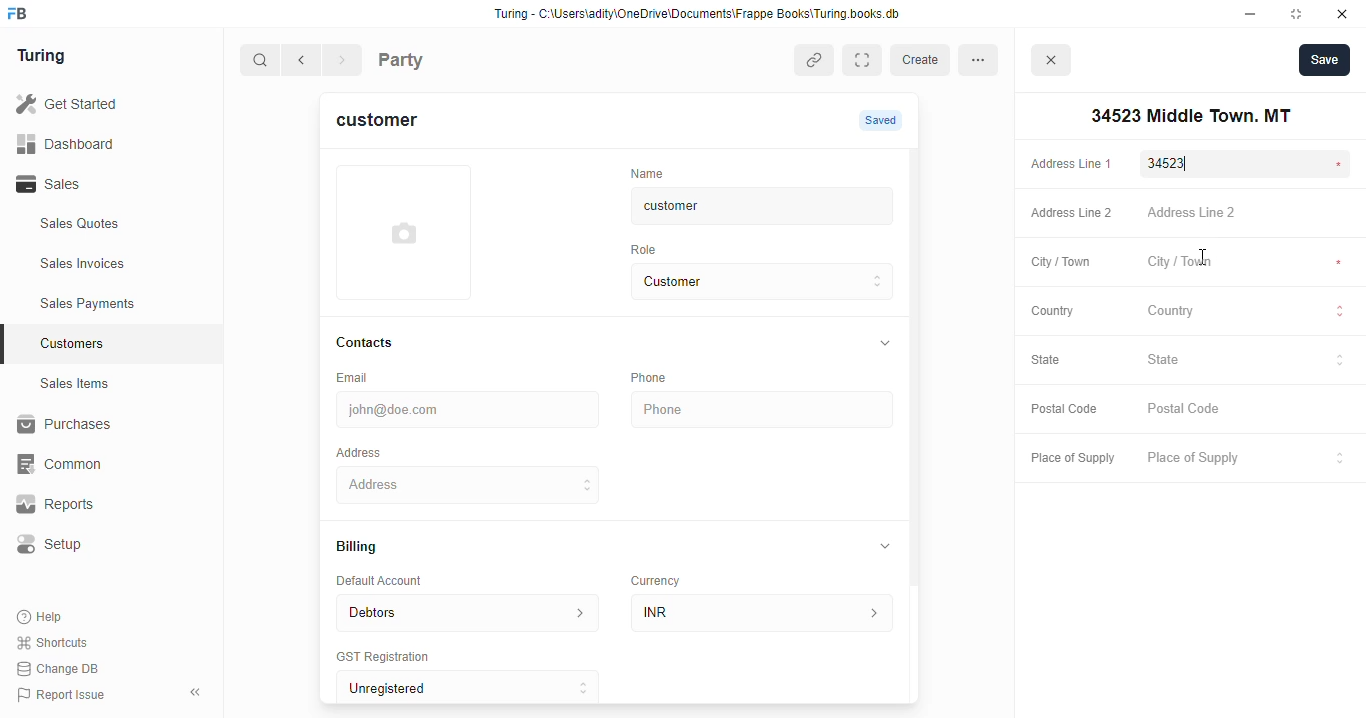 The height and width of the screenshot is (718, 1366). I want to click on ‘Name, so click(652, 172).